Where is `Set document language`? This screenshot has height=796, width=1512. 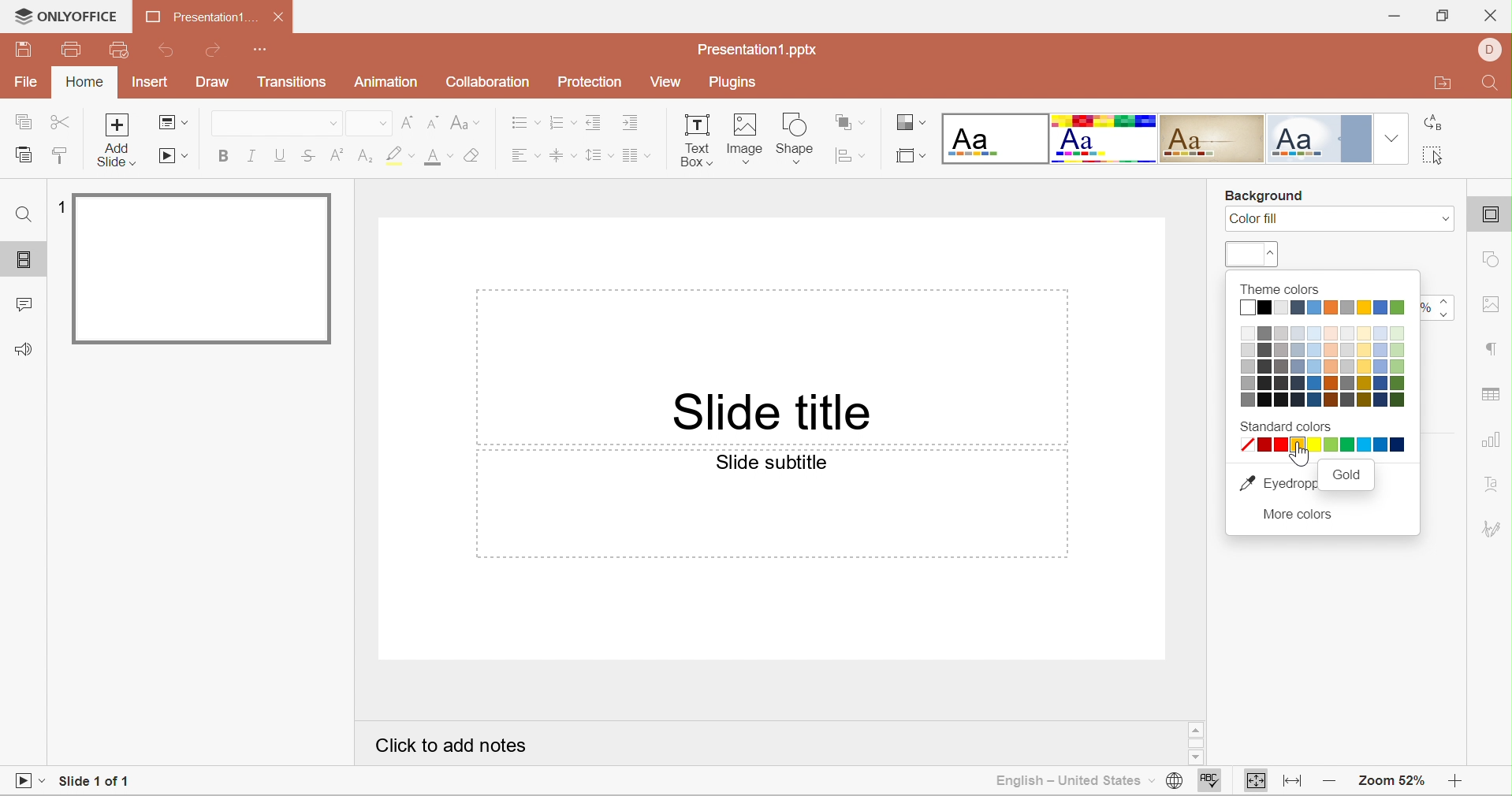 Set document language is located at coordinates (1173, 780).